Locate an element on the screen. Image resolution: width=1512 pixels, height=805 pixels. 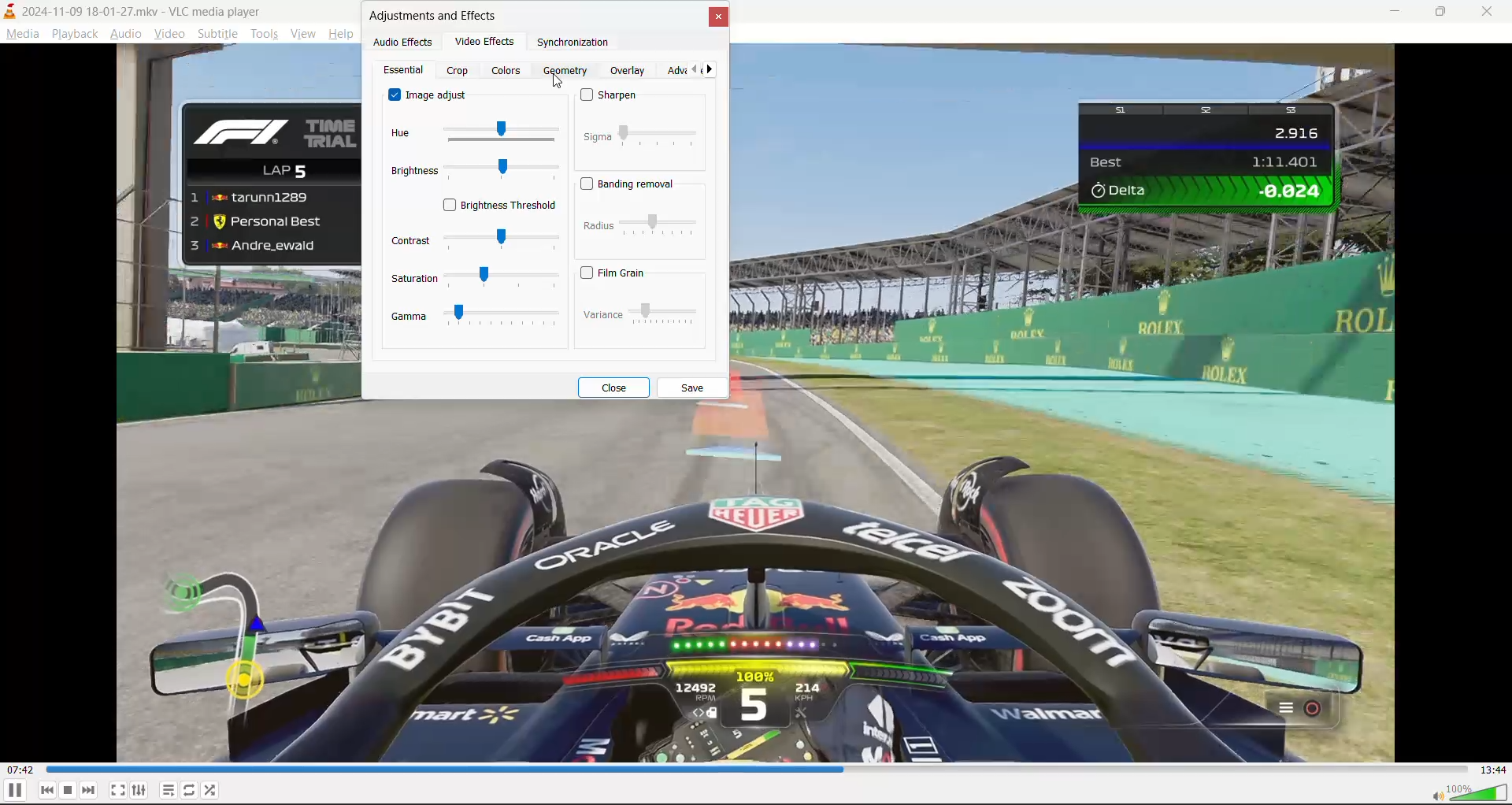
tools is located at coordinates (264, 33).